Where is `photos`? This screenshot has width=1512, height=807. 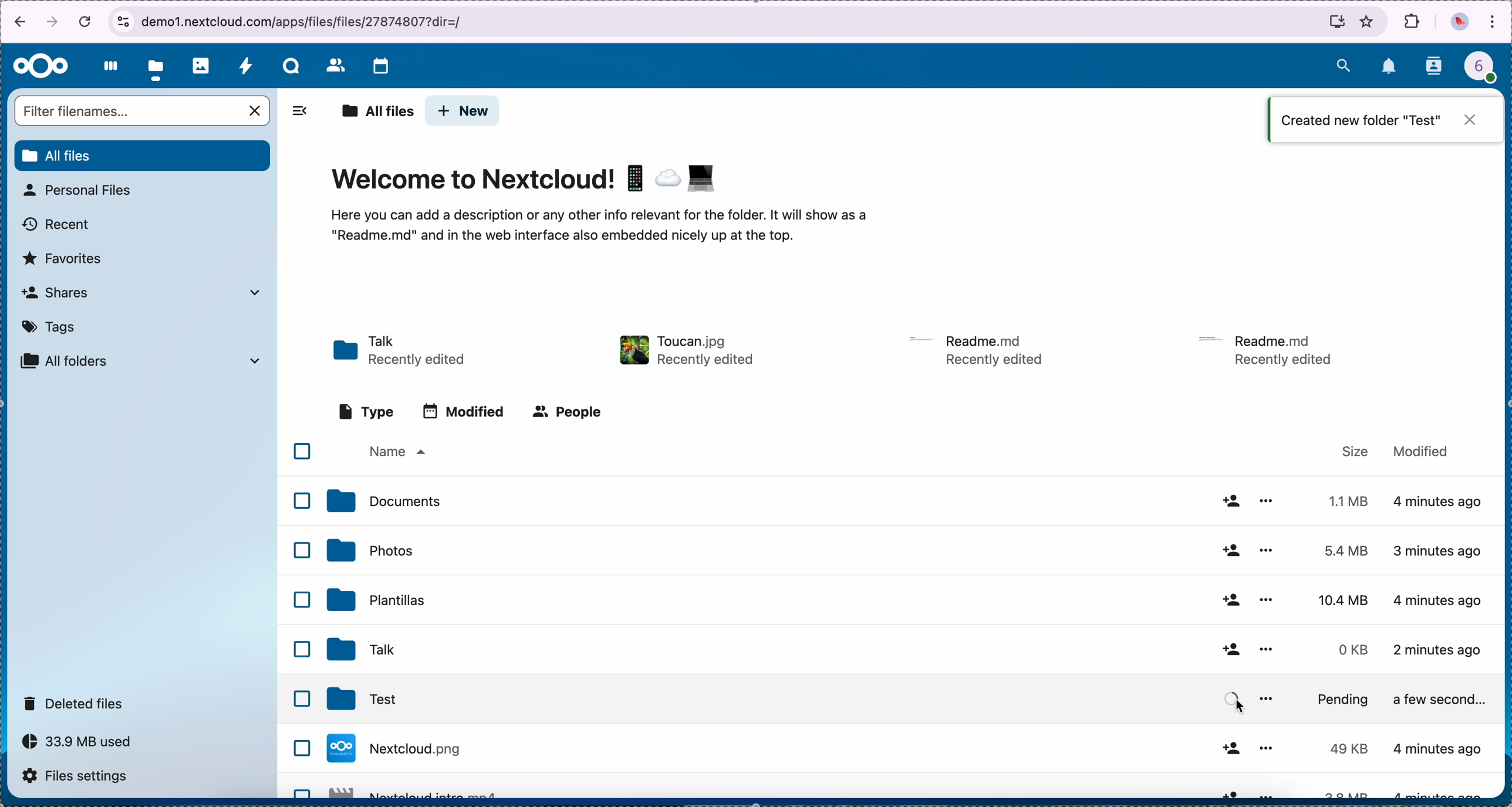
photos is located at coordinates (201, 66).